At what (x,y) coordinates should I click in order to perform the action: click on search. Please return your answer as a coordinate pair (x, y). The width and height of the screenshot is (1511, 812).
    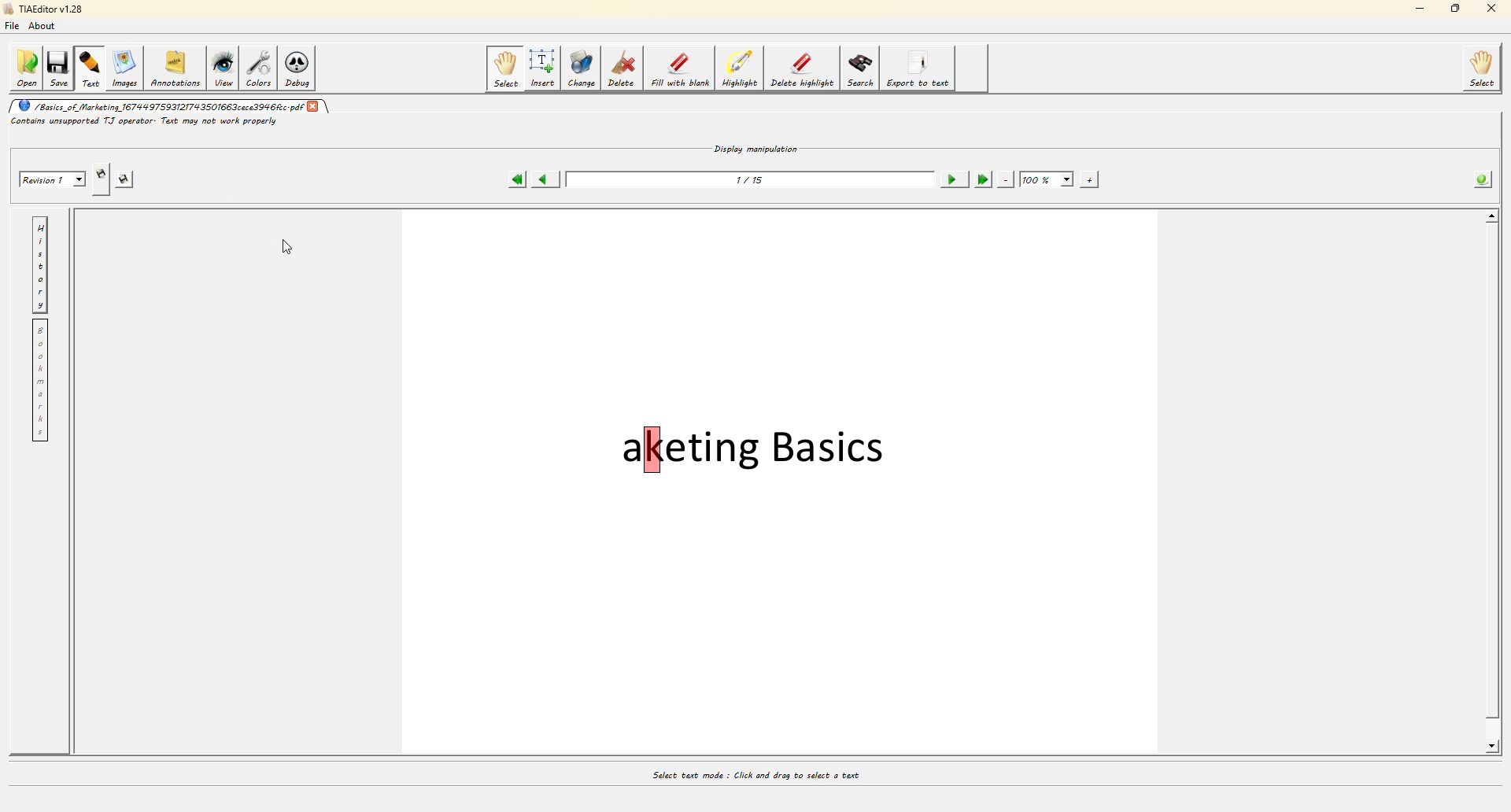
    Looking at the image, I should click on (860, 68).